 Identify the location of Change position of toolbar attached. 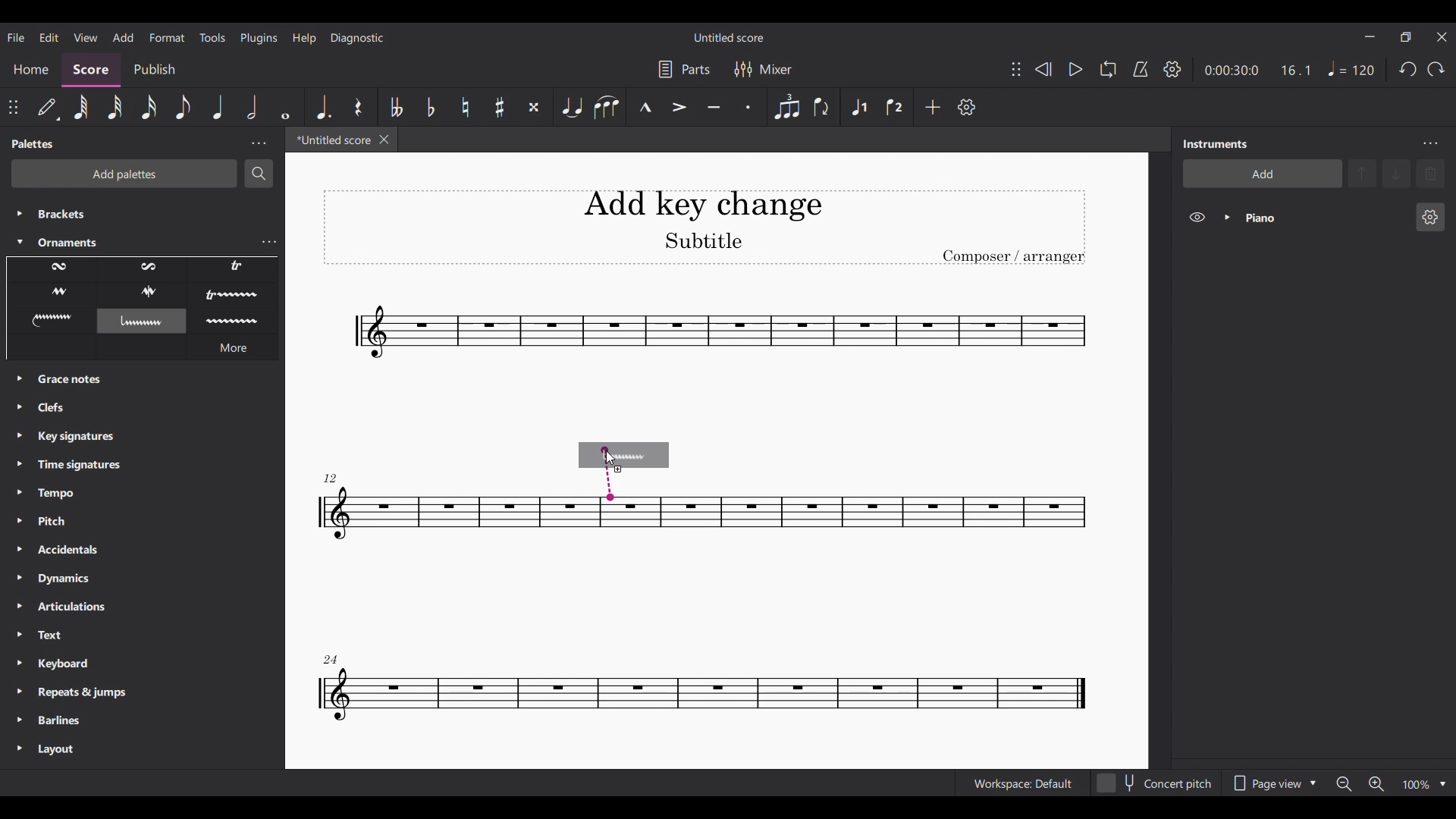
(1015, 69).